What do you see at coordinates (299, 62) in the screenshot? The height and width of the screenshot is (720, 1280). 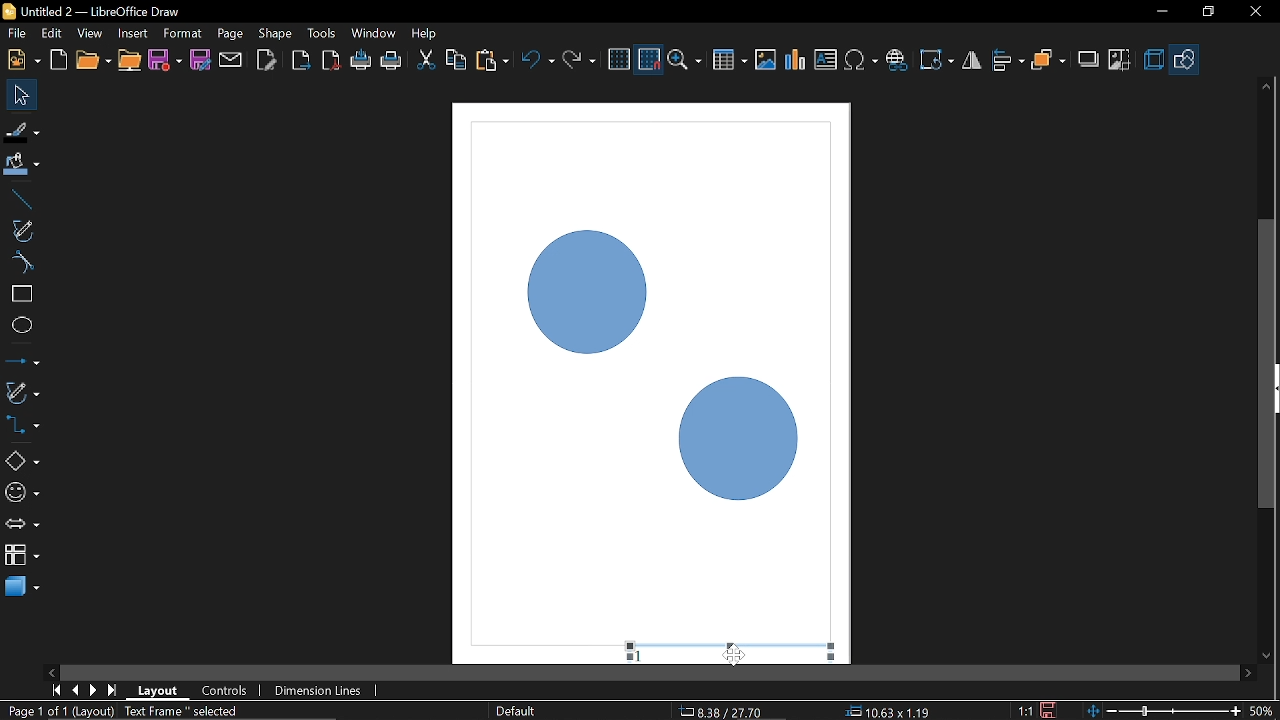 I see `Export` at bounding box center [299, 62].